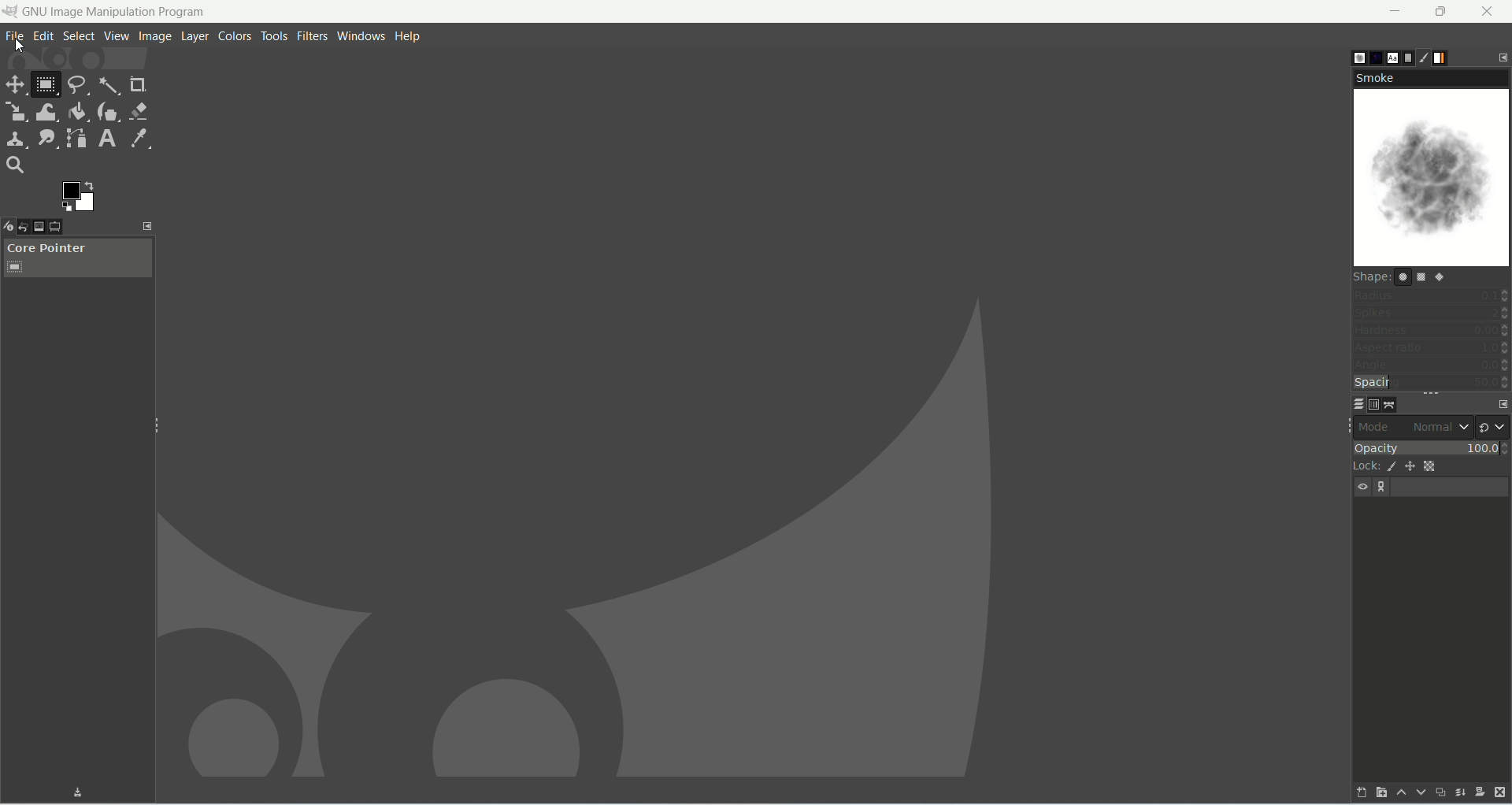 This screenshot has height=805, width=1512. Describe the element at coordinates (1432, 295) in the screenshot. I see `radius` at that location.